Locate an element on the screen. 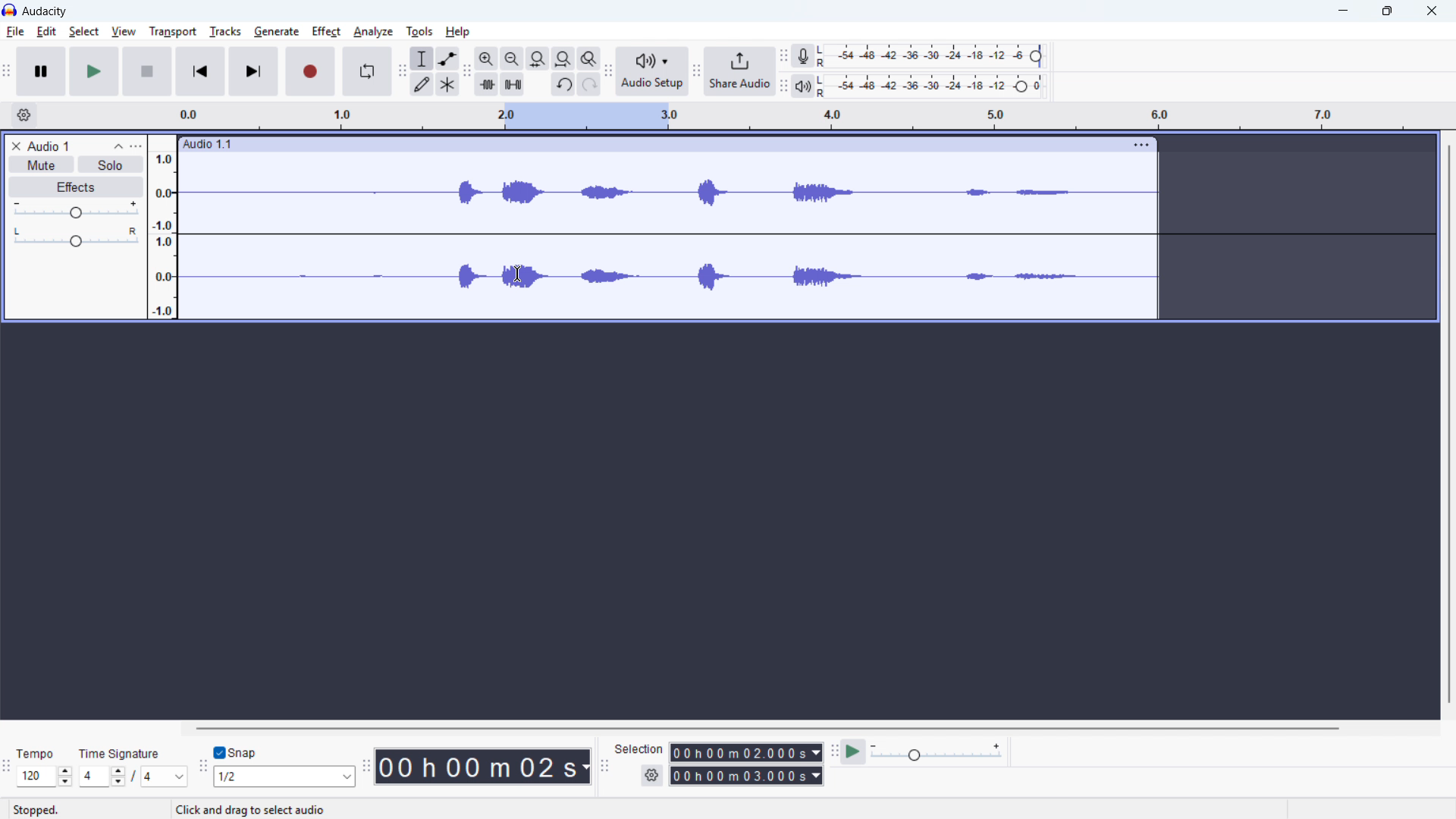 Image resolution: width=1456 pixels, height=819 pixels. Toggle zoom is located at coordinates (588, 58).